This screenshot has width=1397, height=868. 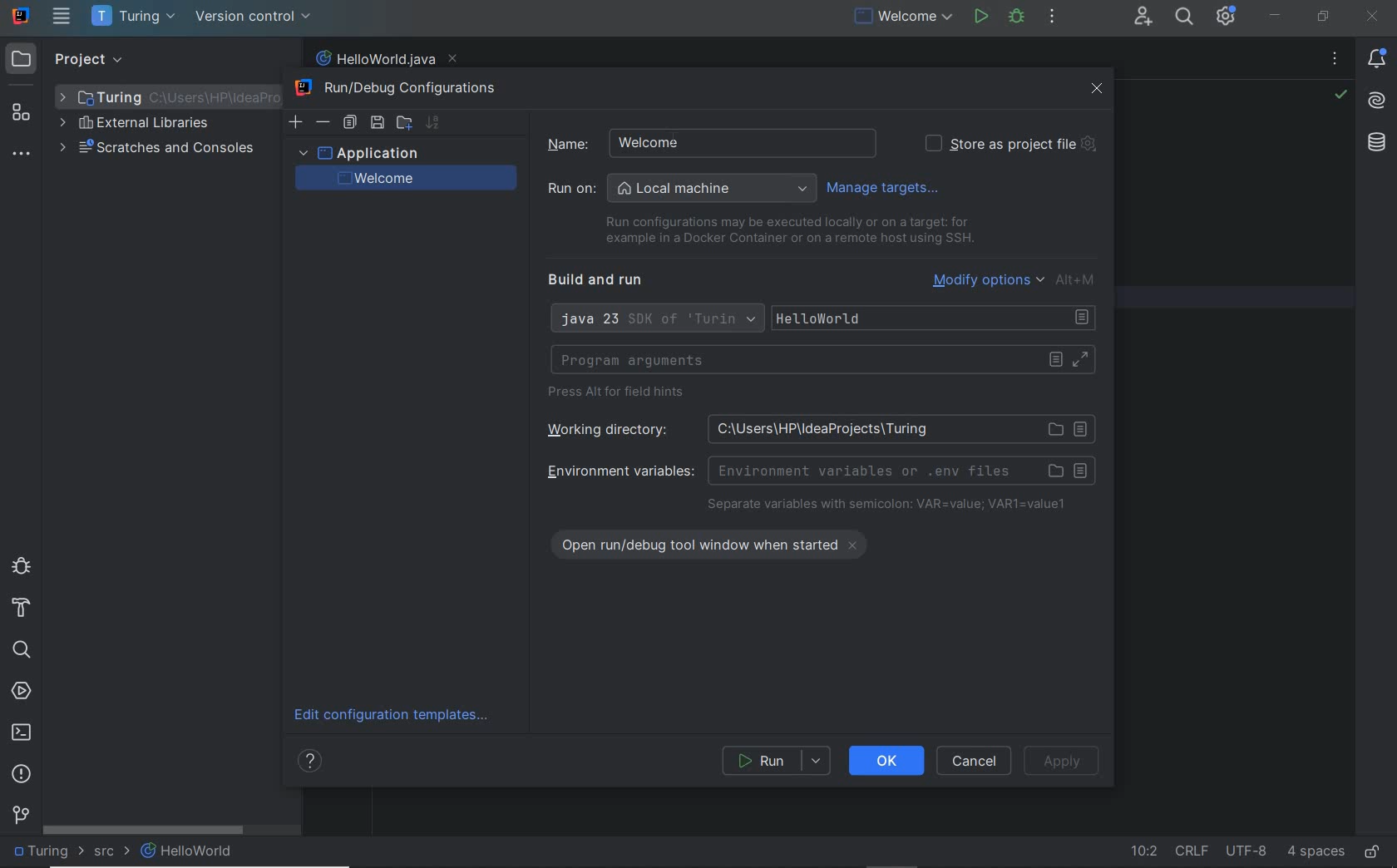 I want to click on run configurations may be executes, so click(x=783, y=230).